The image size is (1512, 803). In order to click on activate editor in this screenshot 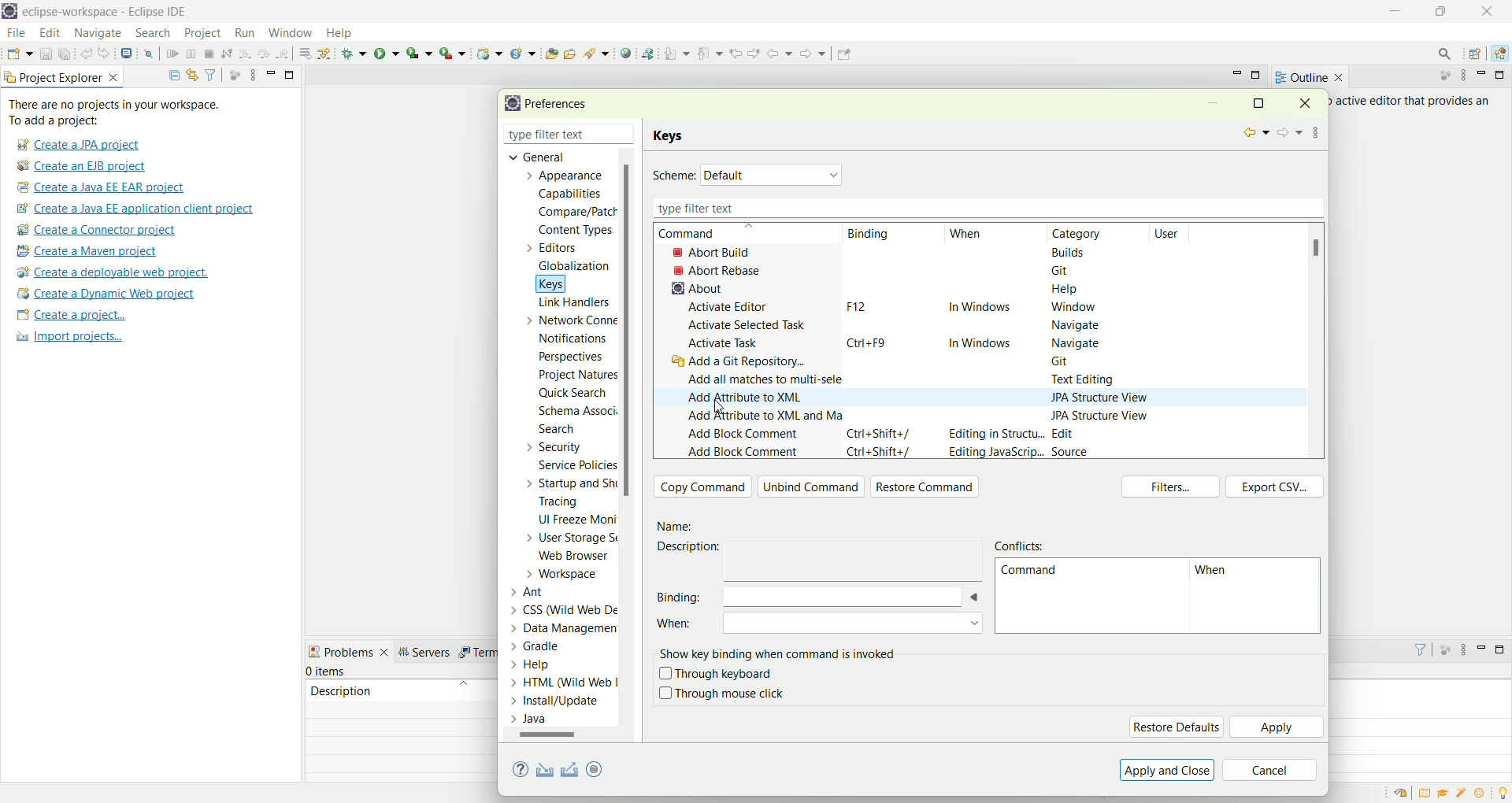, I will do `click(731, 307)`.